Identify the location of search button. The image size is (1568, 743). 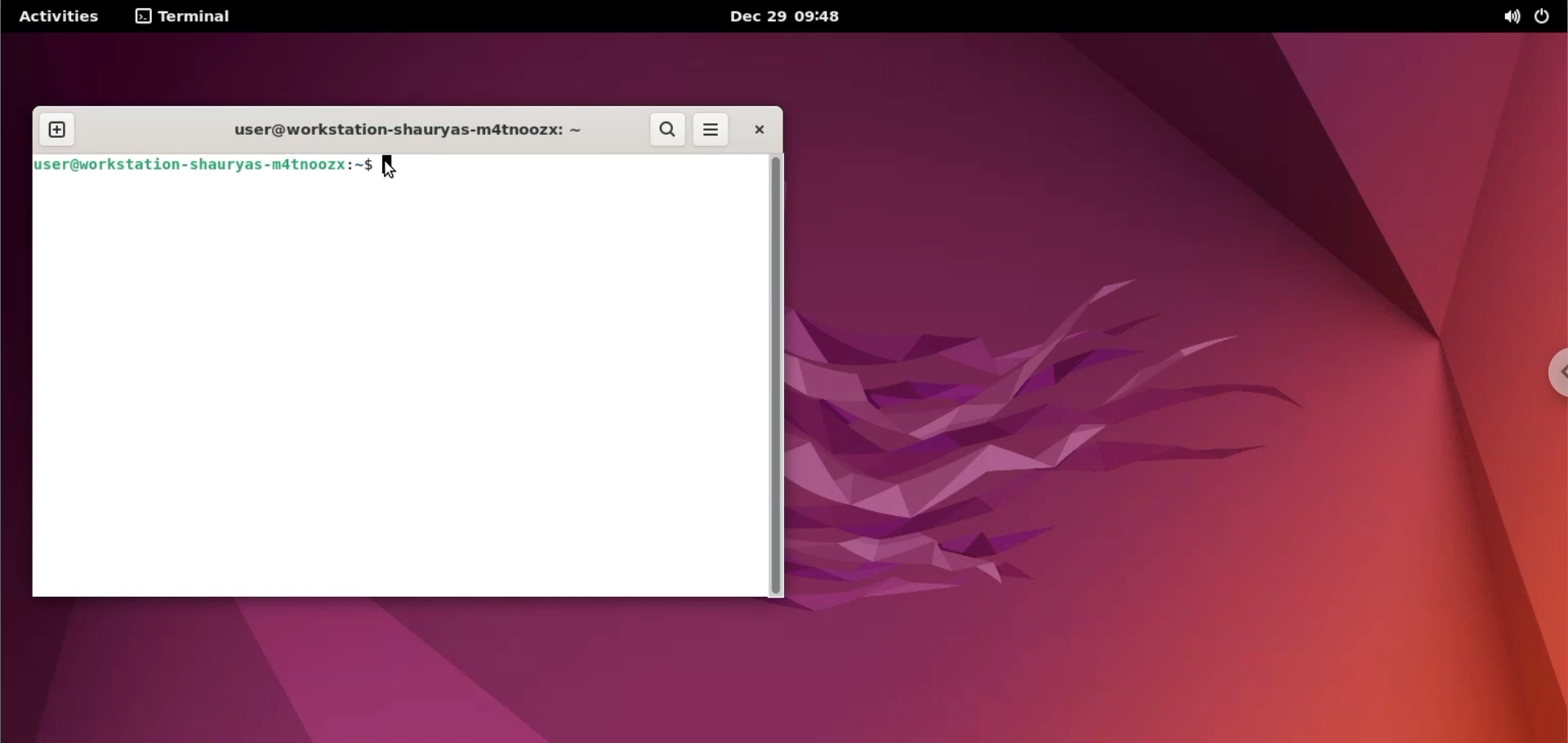
(669, 130).